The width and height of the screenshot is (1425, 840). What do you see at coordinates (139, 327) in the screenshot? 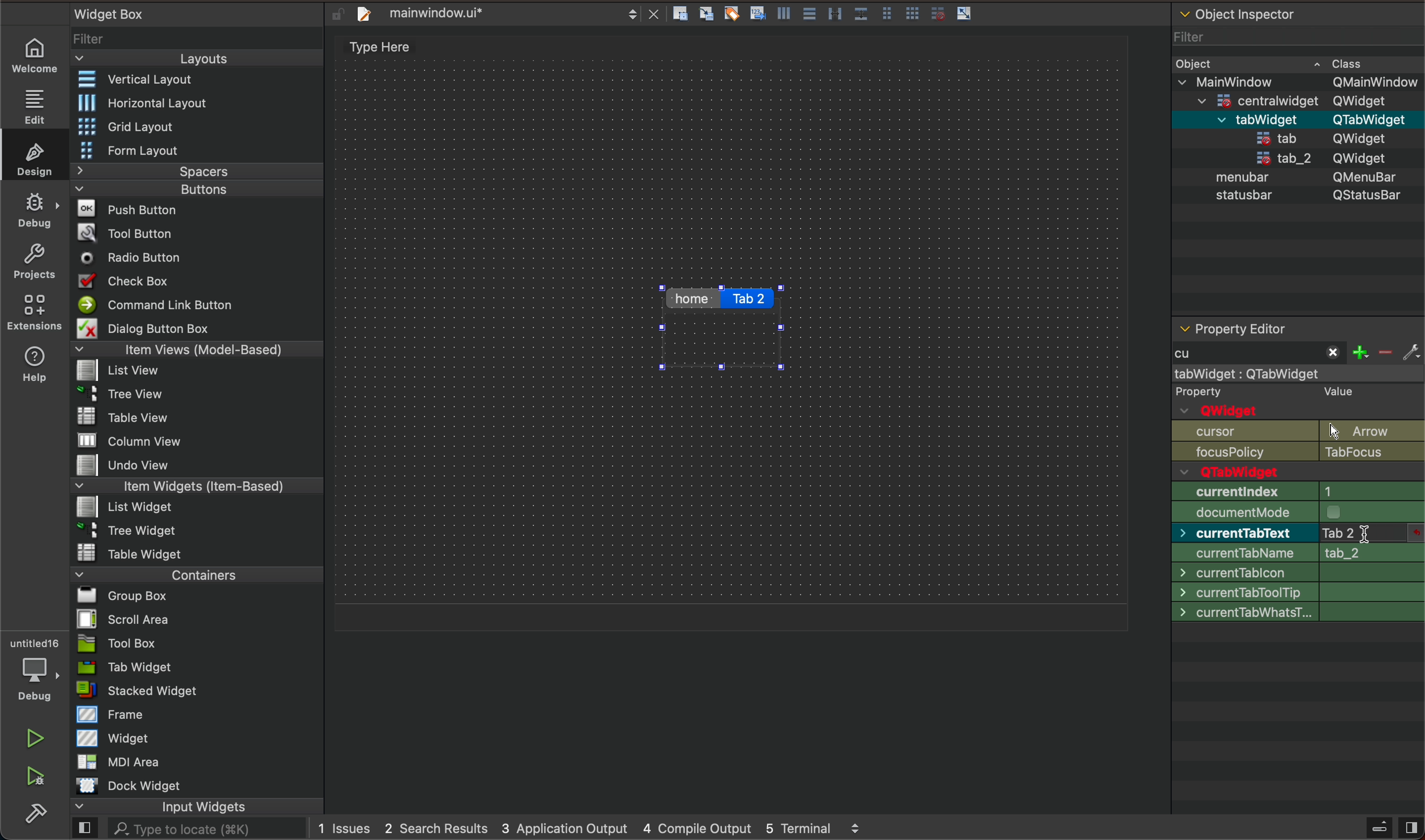
I see `Dialog Button Box` at bounding box center [139, 327].